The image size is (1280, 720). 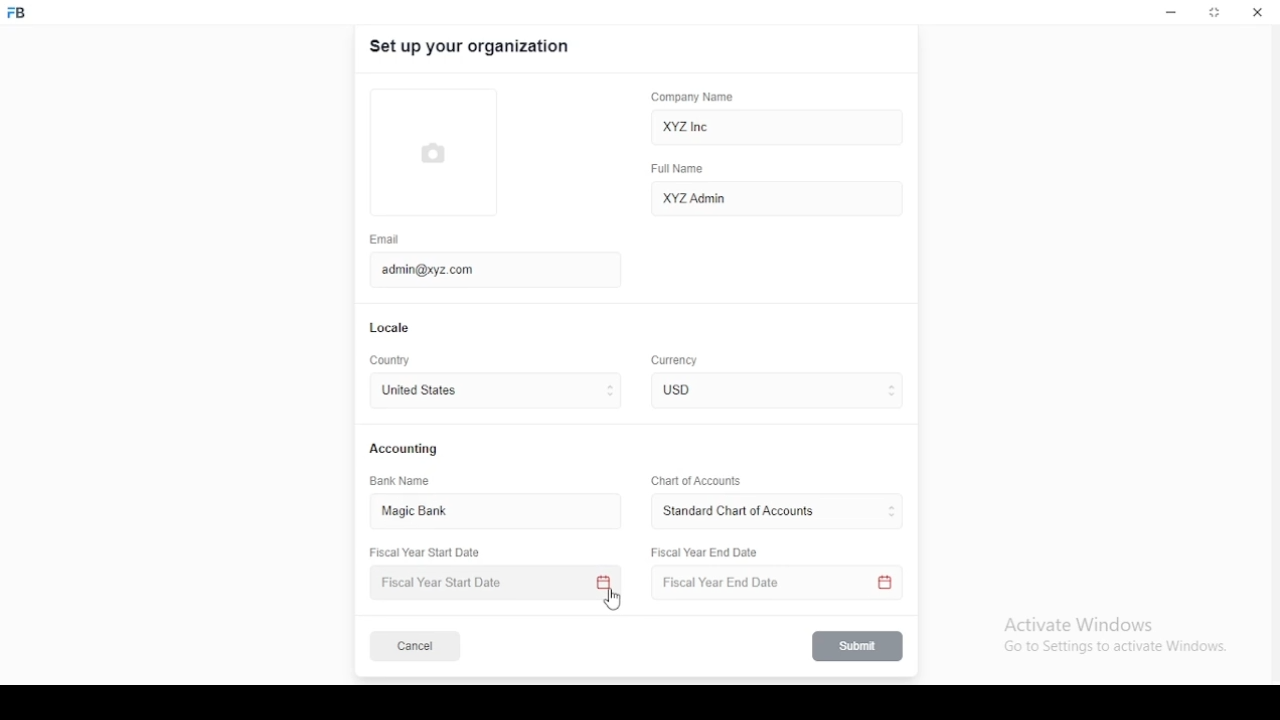 What do you see at coordinates (779, 128) in the screenshot?
I see `XYZ Inc` at bounding box center [779, 128].